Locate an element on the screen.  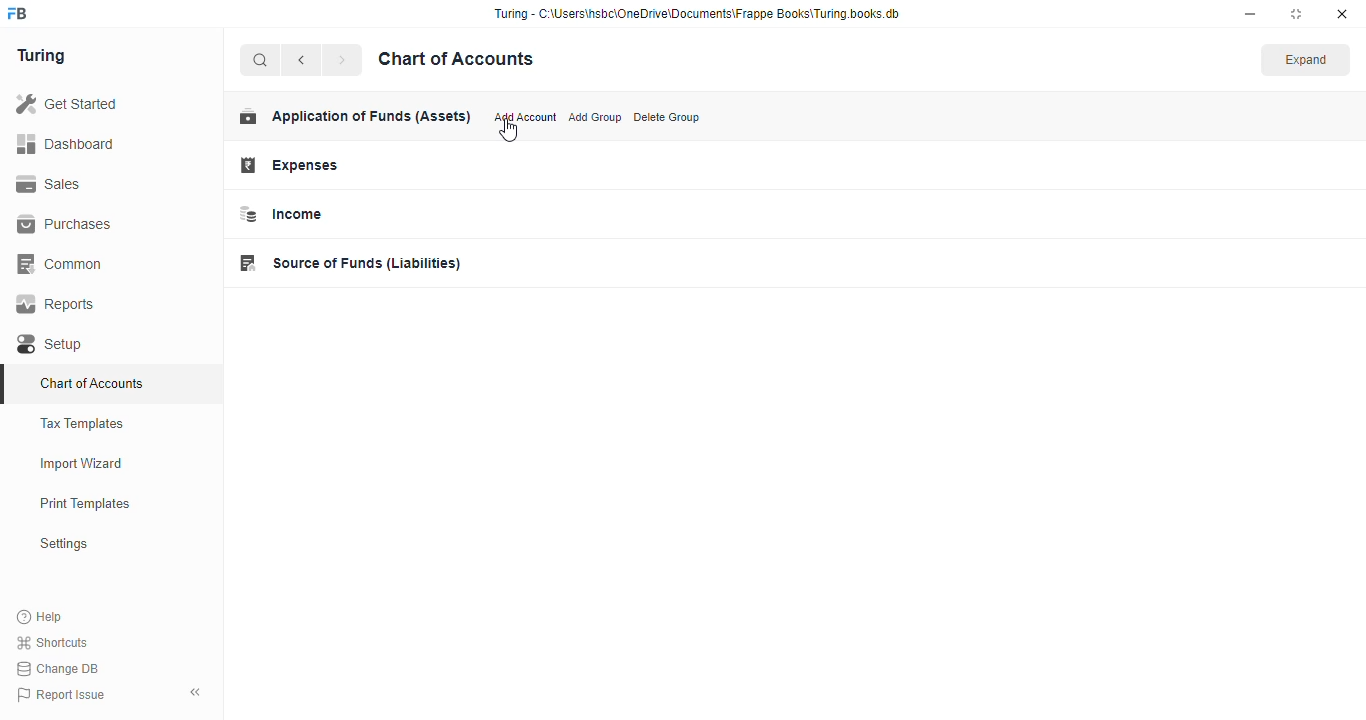
turing is located at coordinates (40, 56).